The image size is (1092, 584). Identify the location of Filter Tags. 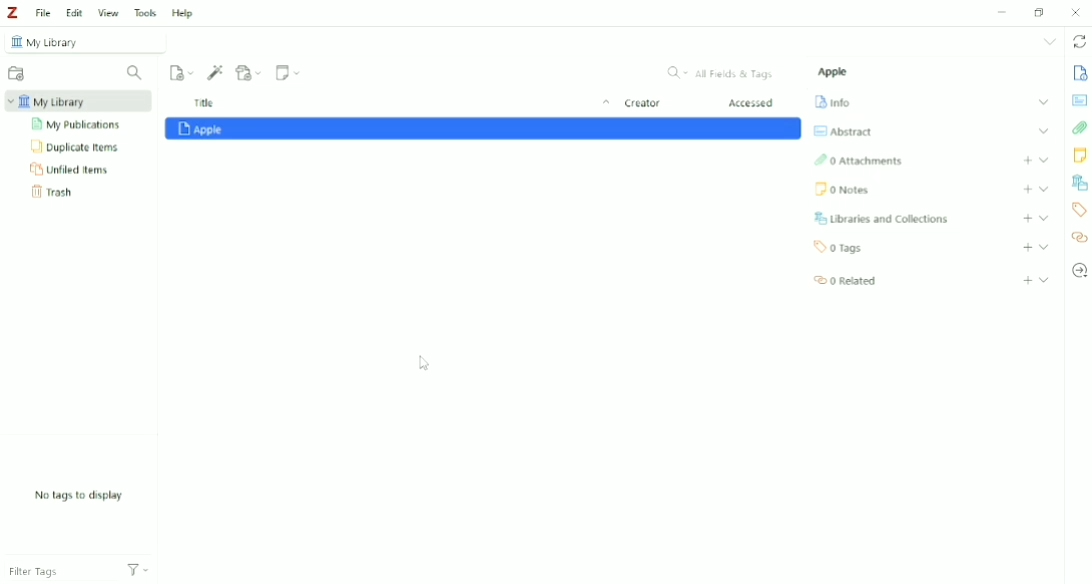
(59, 573).